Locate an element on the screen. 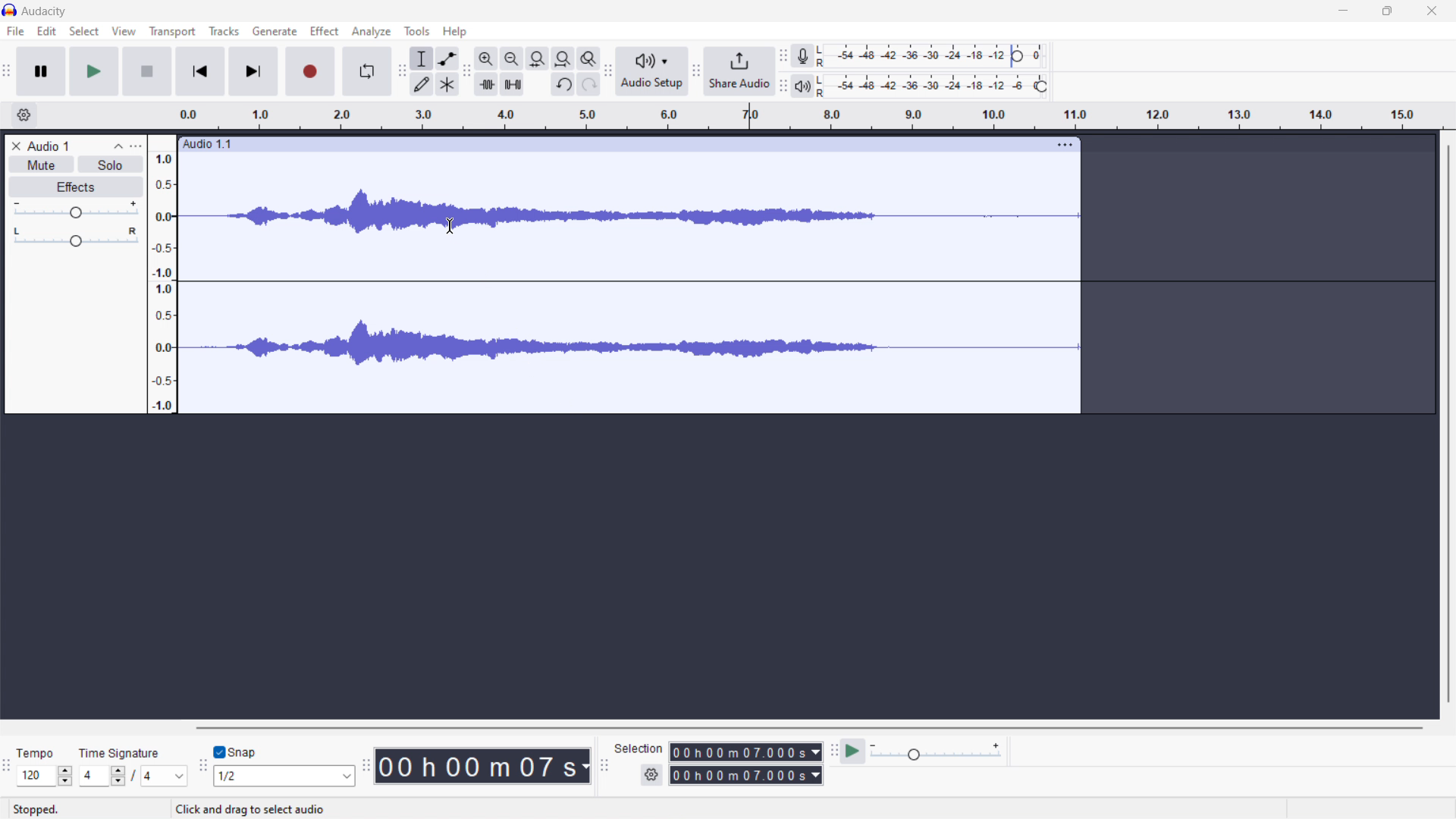 The height and width of the screenshot is (819, 1456). close is located at coordinates (1432, 11).